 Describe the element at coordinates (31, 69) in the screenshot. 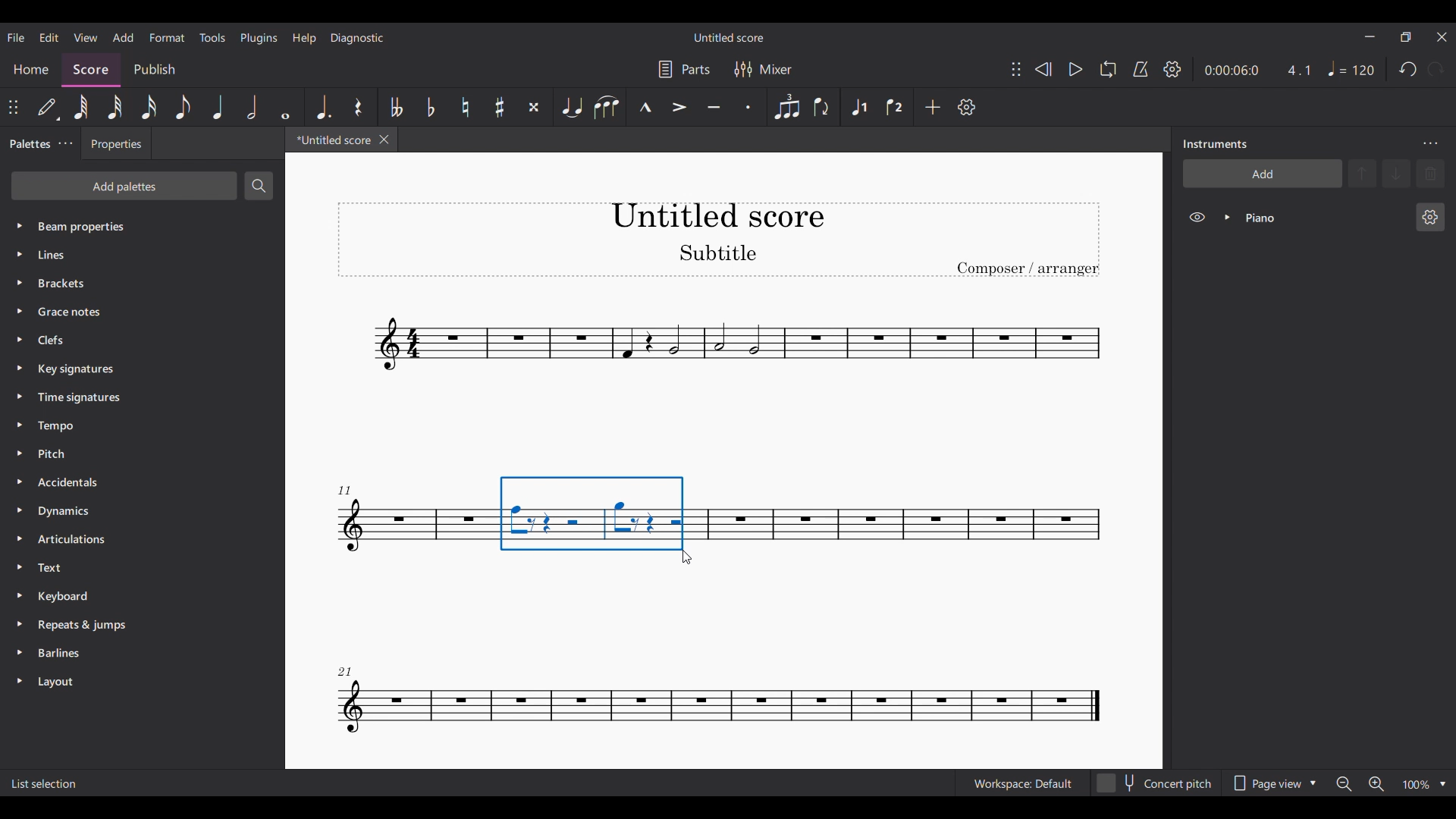

I see `Home section` at that location.